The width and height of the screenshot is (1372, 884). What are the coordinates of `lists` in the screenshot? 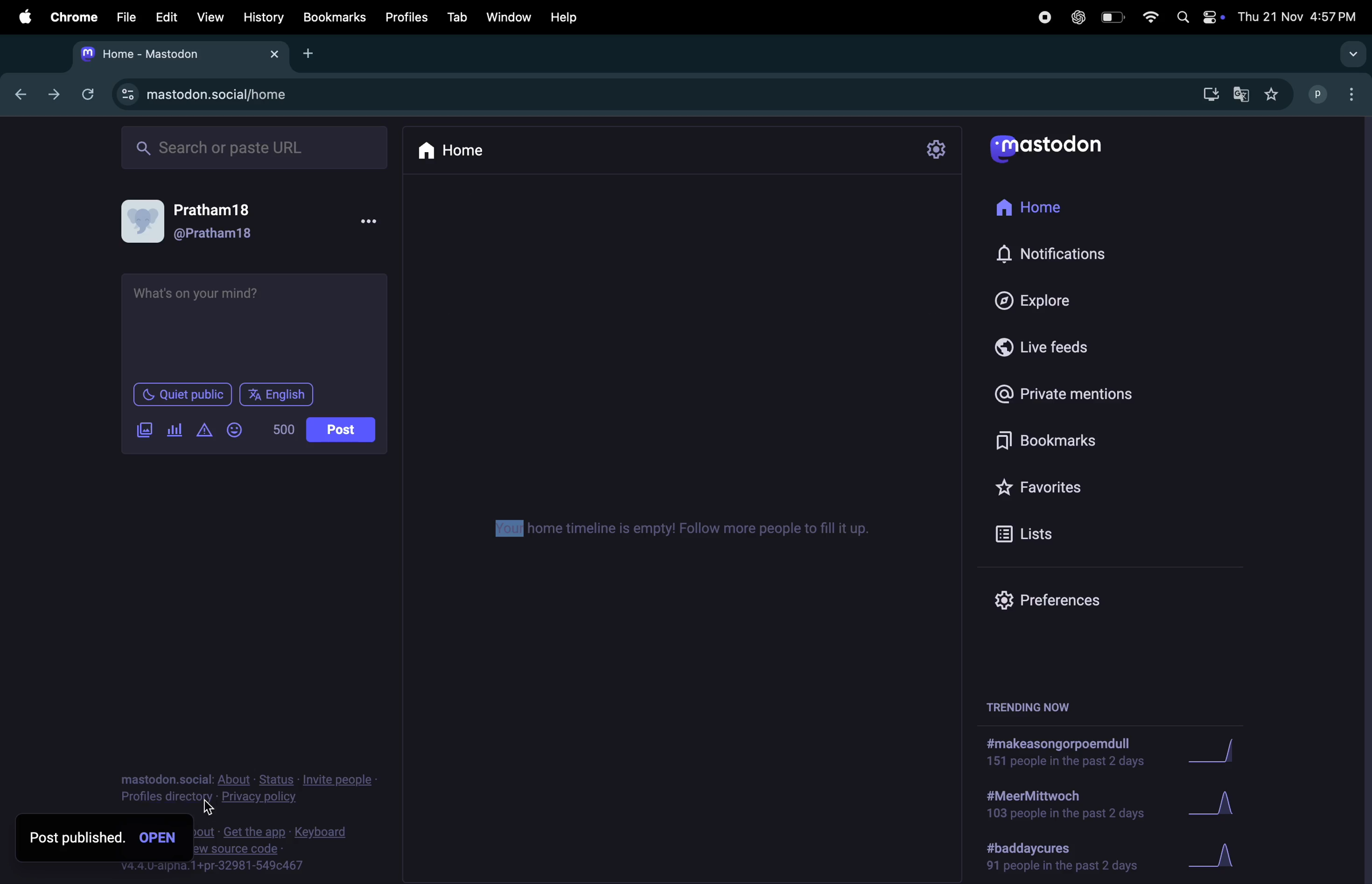 It's located at (1032, 533).